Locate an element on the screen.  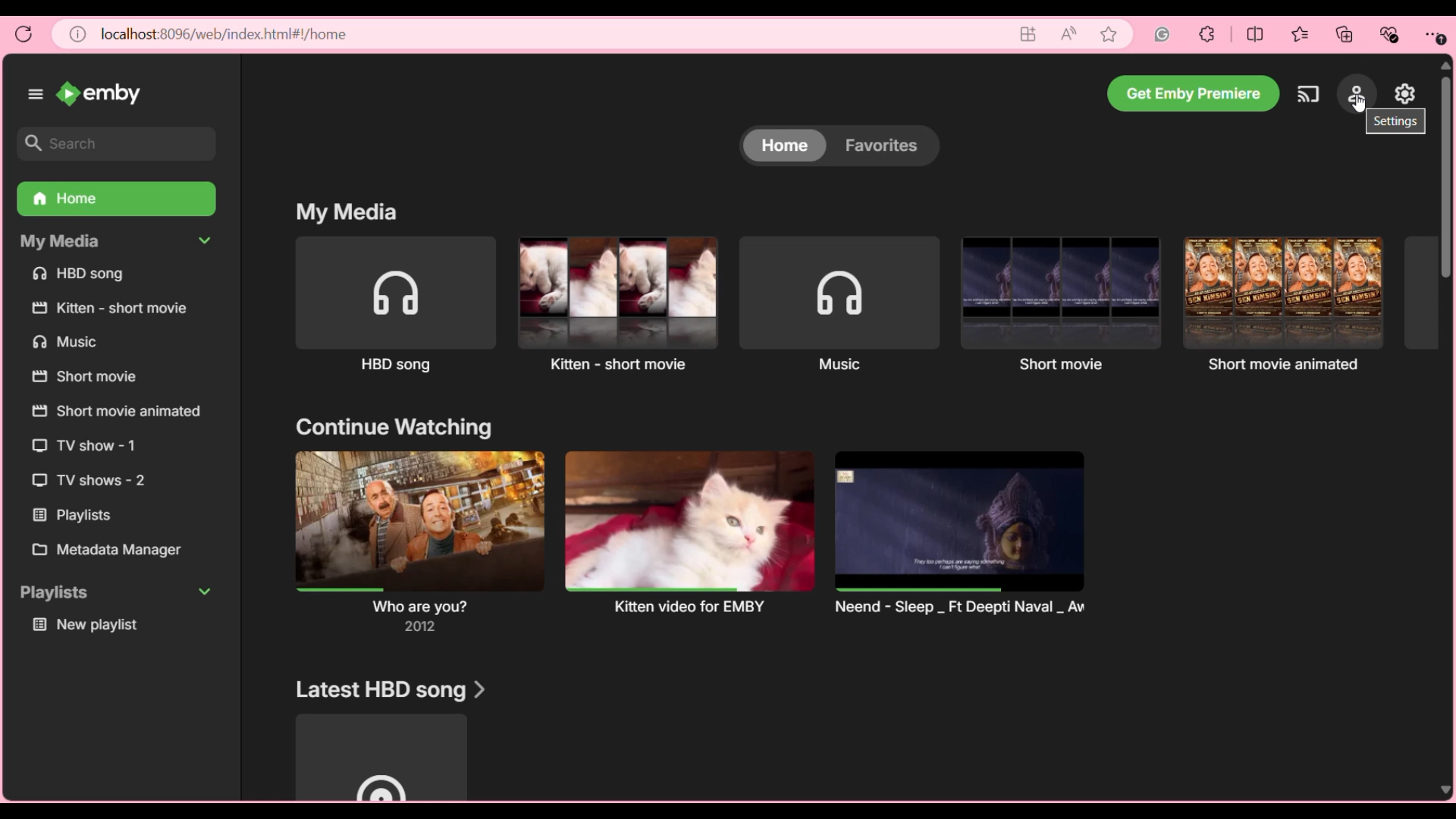
Home is located at coordinates (785, 145).